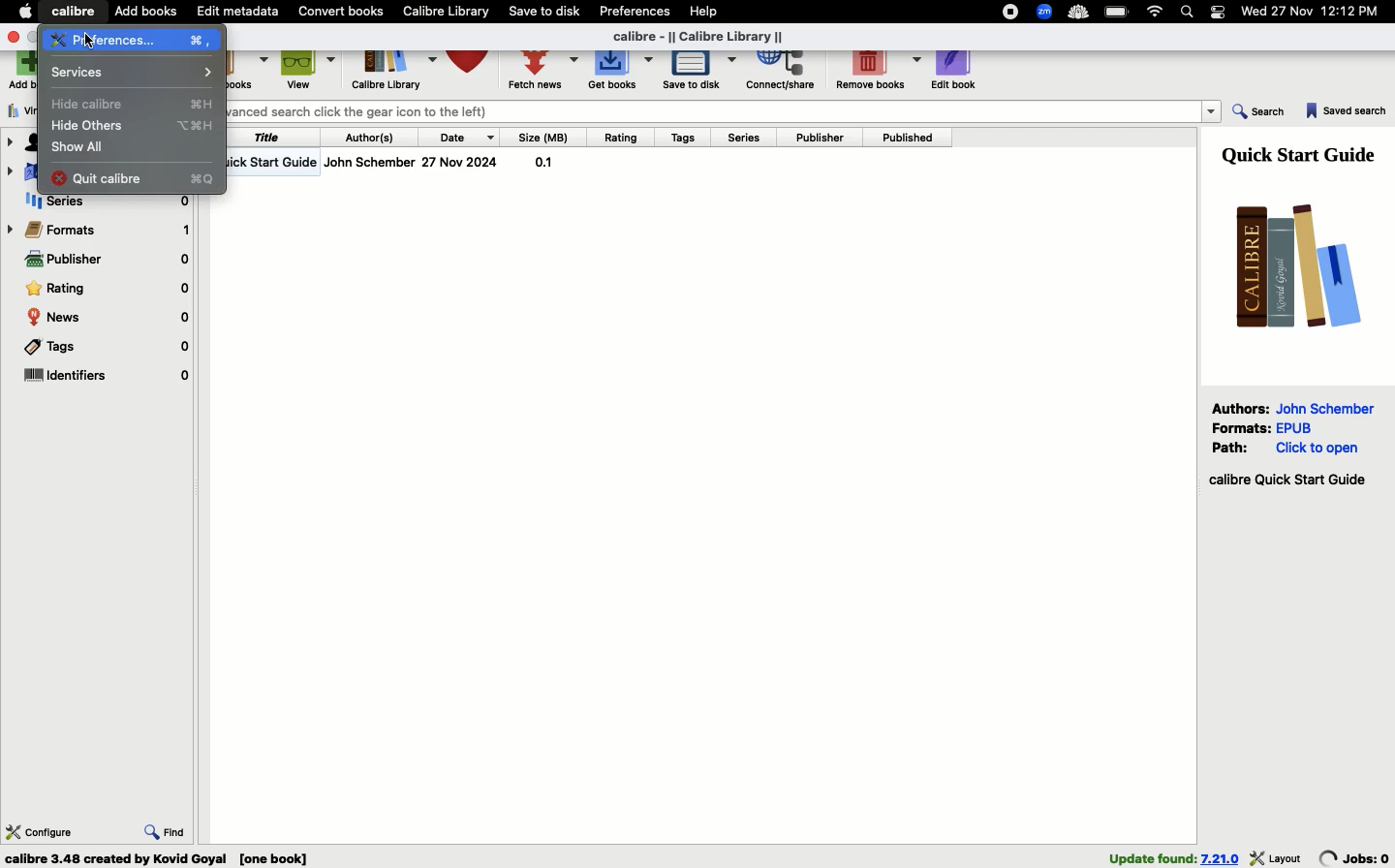 The height and width of the screenshot is (868, 1395). I want to click on Title, so click(700, 36).